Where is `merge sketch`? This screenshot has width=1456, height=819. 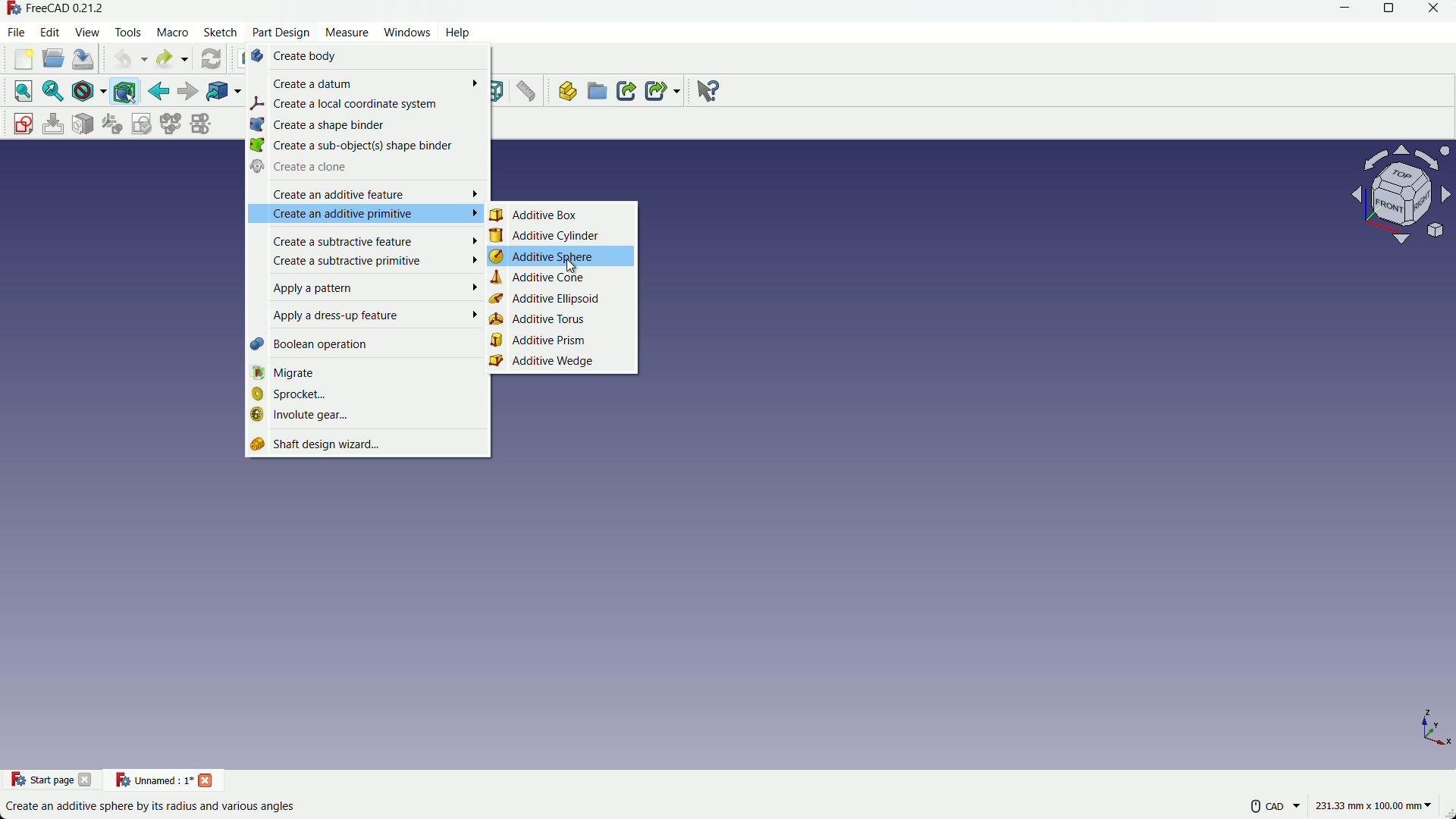
merge sketch is located at coordinates (169, 124).